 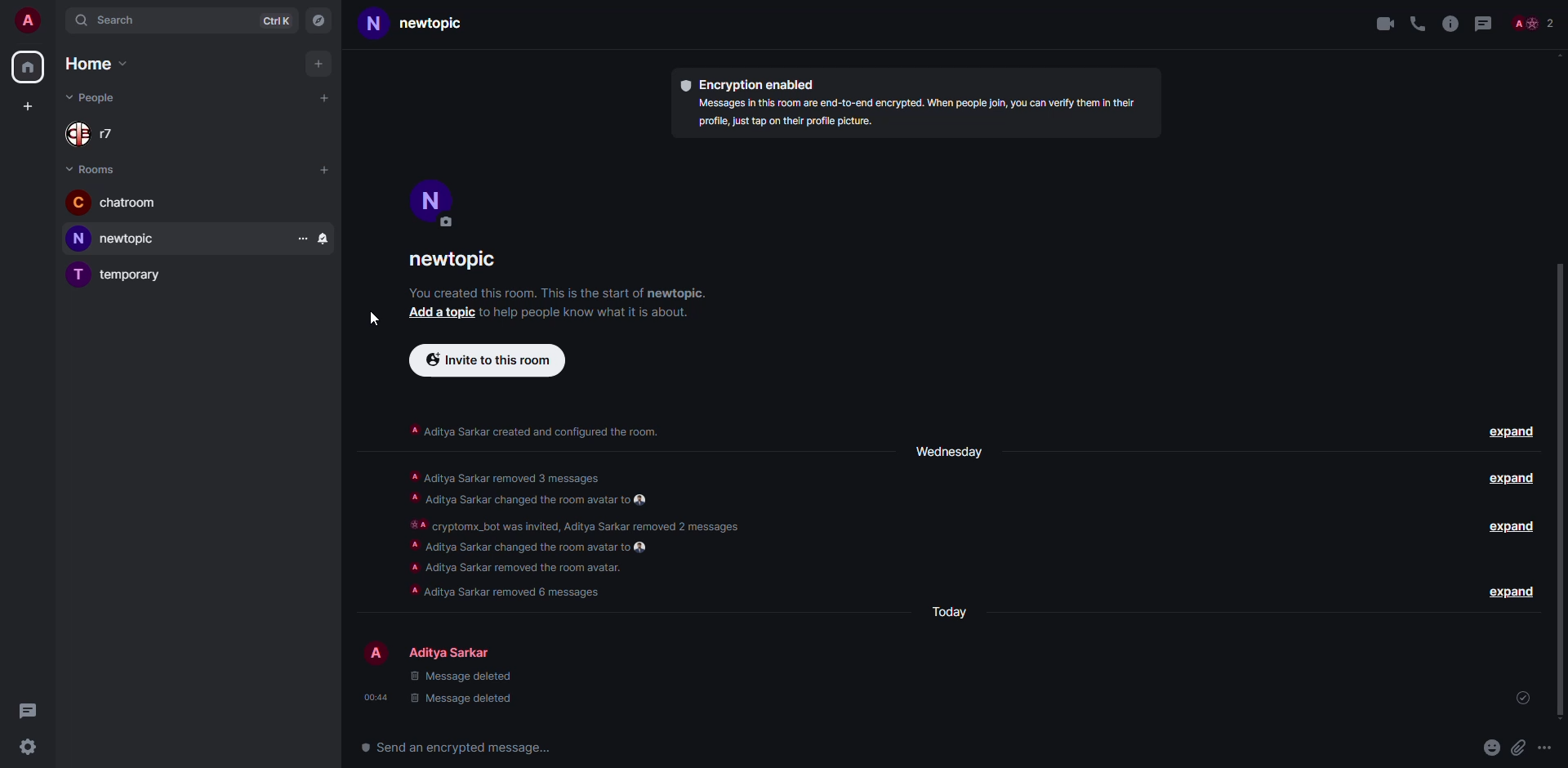 I want to click on room, so click(x=115, y=203).